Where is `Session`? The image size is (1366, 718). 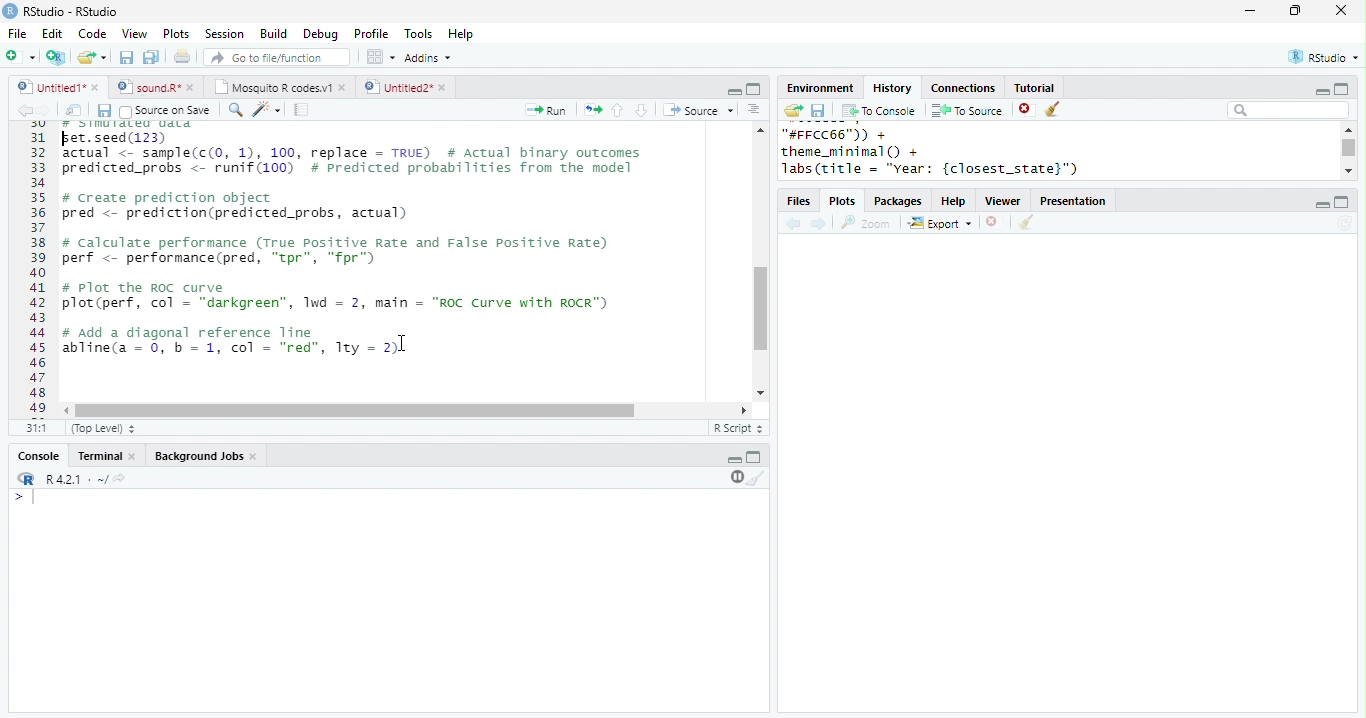
Session is located at coordinates (224, 34).